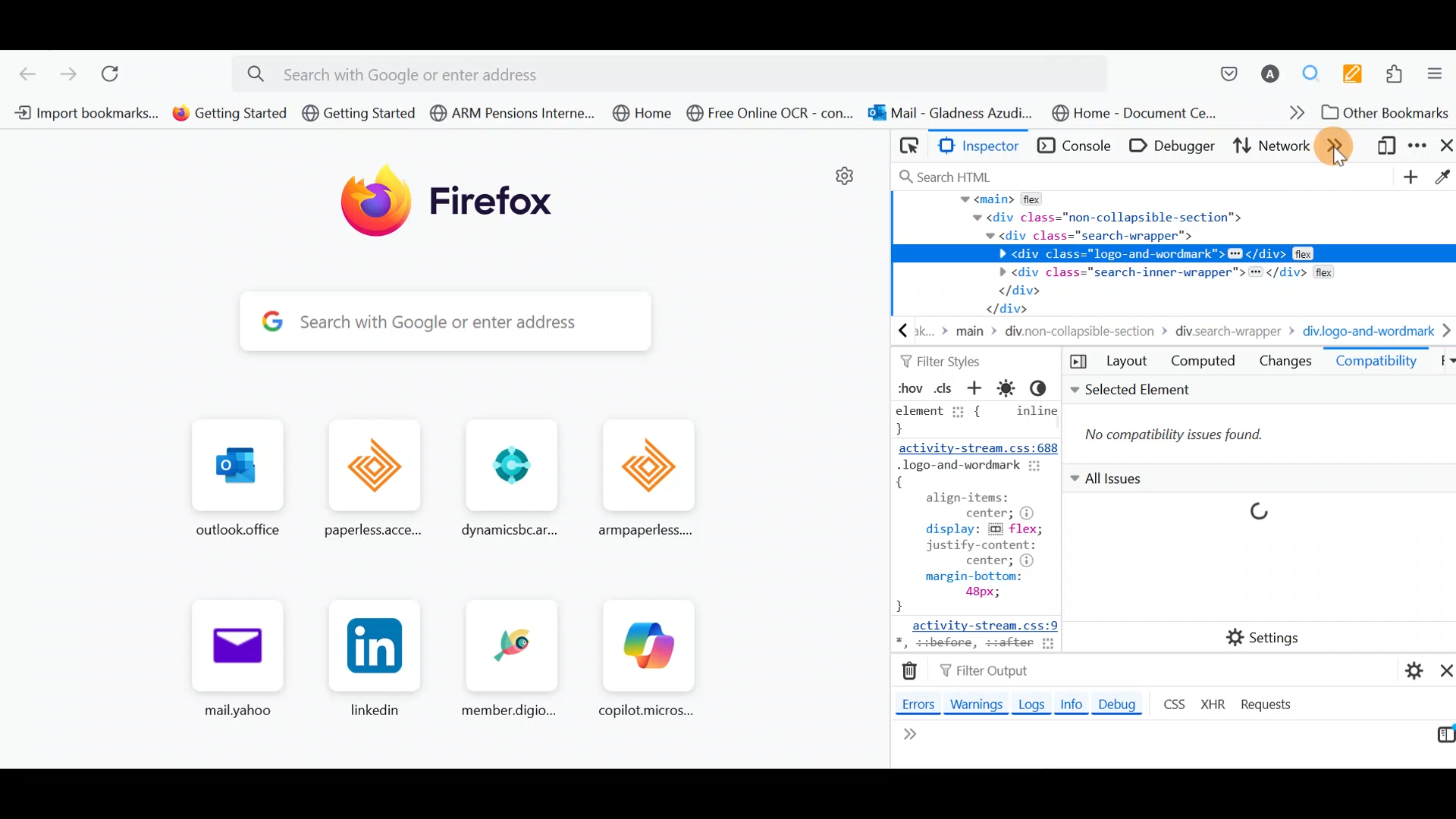 Image resolution: width=1456 pixels, height=819 pixels. I want to click on Switch to multi line editor mode, so click(1440, 739).